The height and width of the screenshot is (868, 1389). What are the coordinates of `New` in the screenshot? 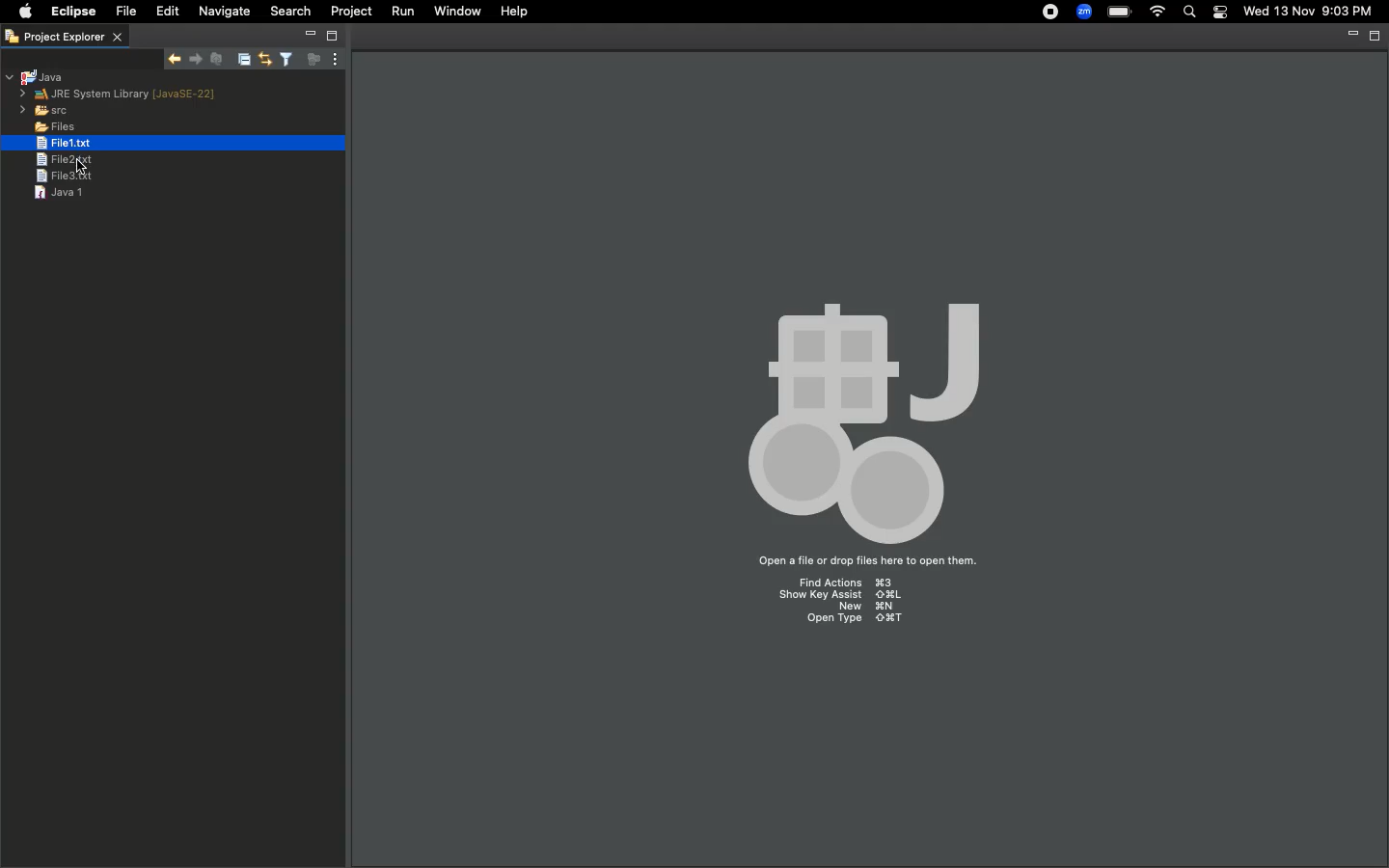 It's located at (866, 607).